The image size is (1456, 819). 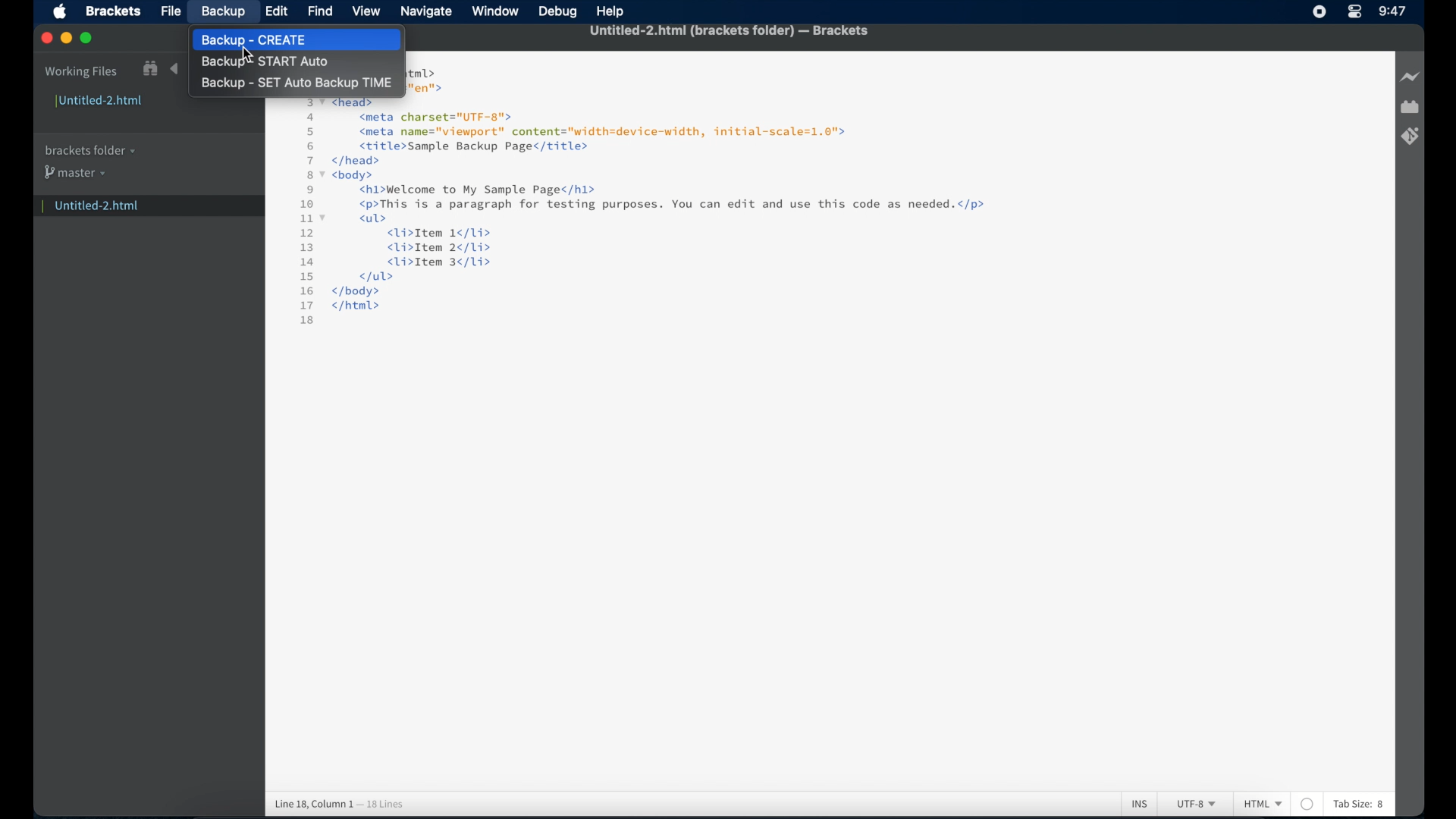 What do you see at coordinates (1392, 11) in the screenshot?
I see `9:47` at bounding box center [1392, 11].